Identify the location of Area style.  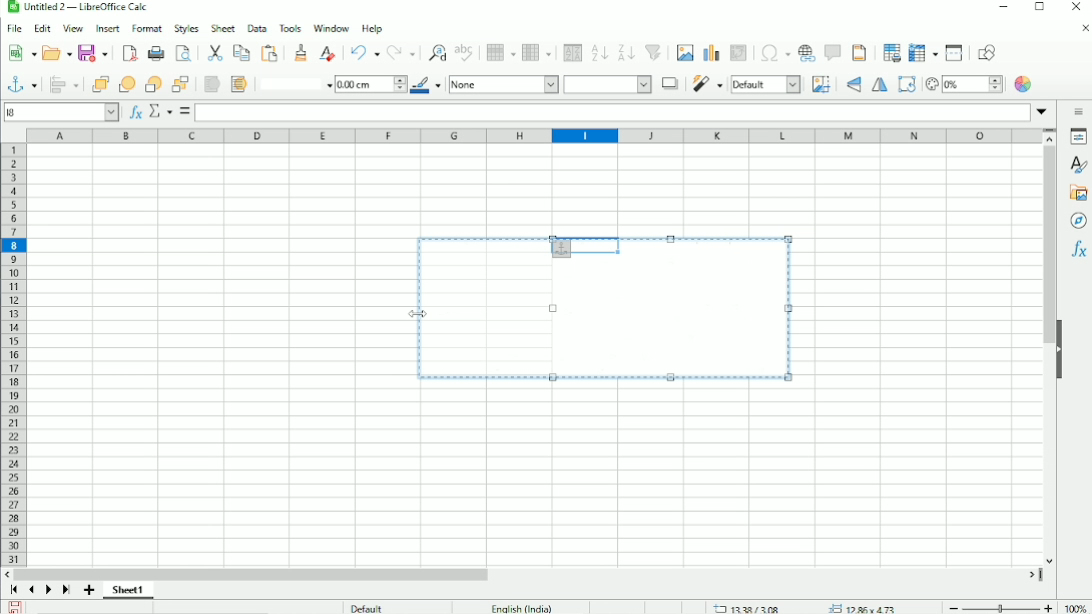
(550, 85).